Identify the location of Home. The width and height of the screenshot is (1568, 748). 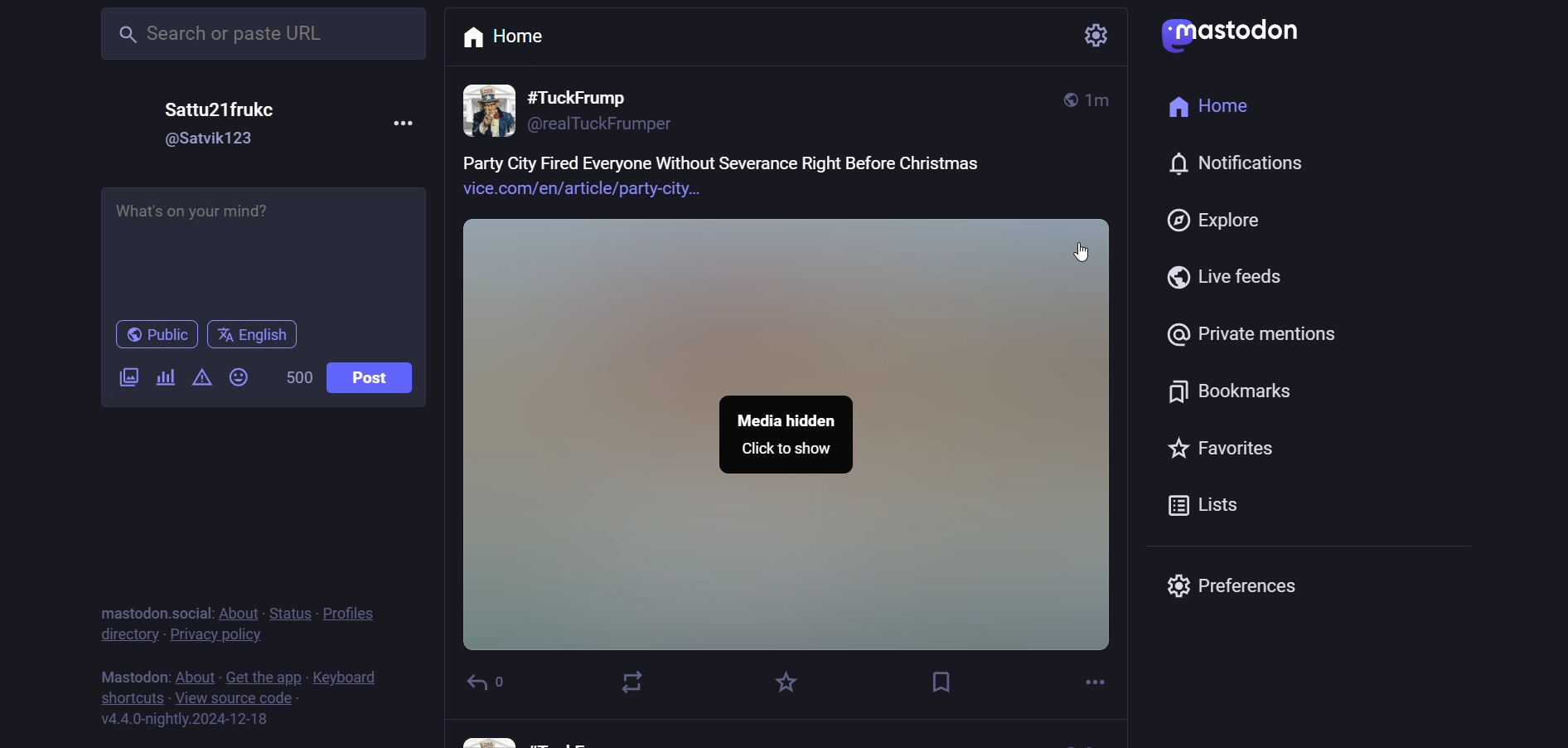
(1211, 108).